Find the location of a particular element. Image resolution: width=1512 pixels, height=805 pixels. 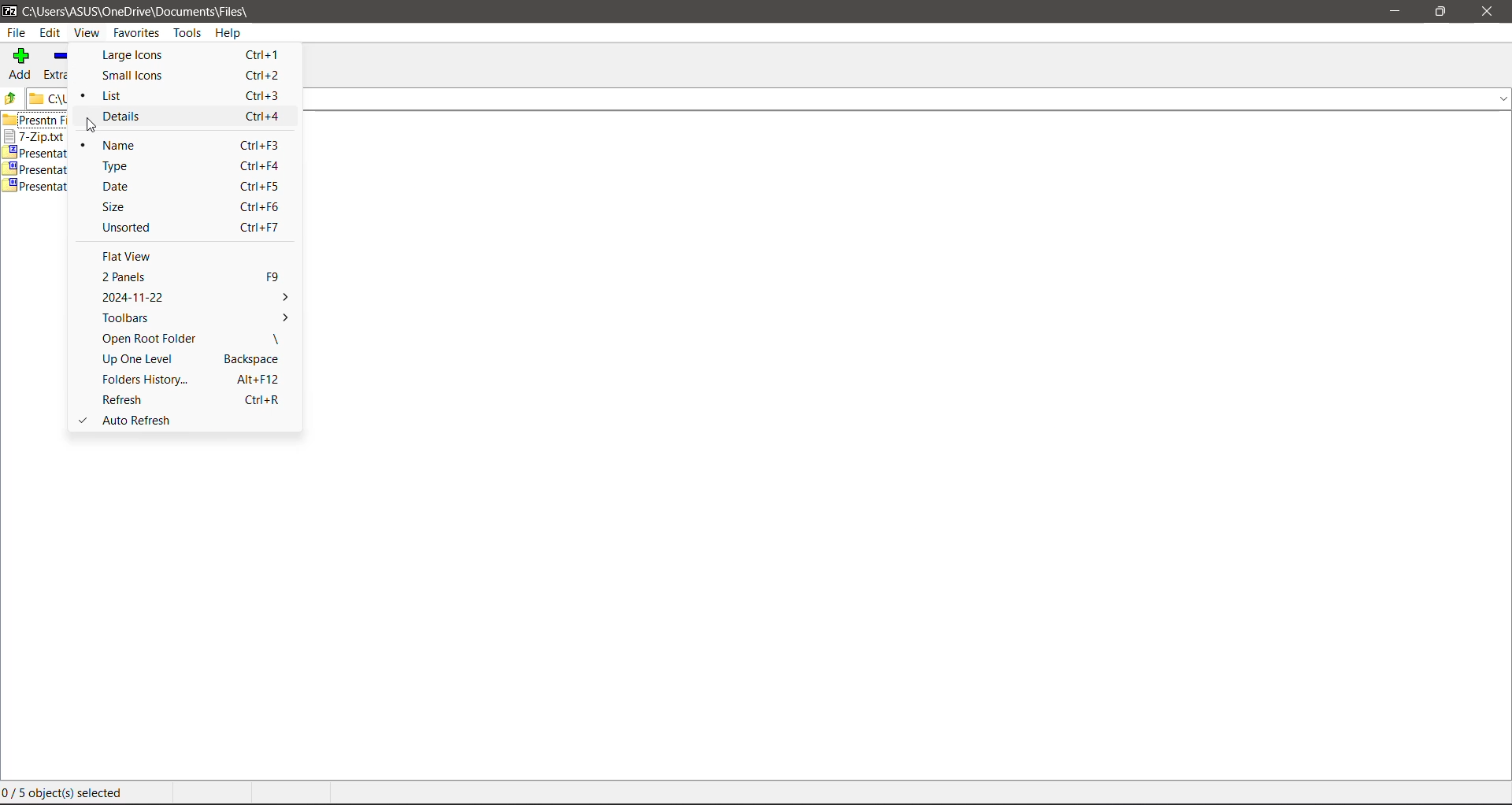

Help is located at coordinates (233, 35).